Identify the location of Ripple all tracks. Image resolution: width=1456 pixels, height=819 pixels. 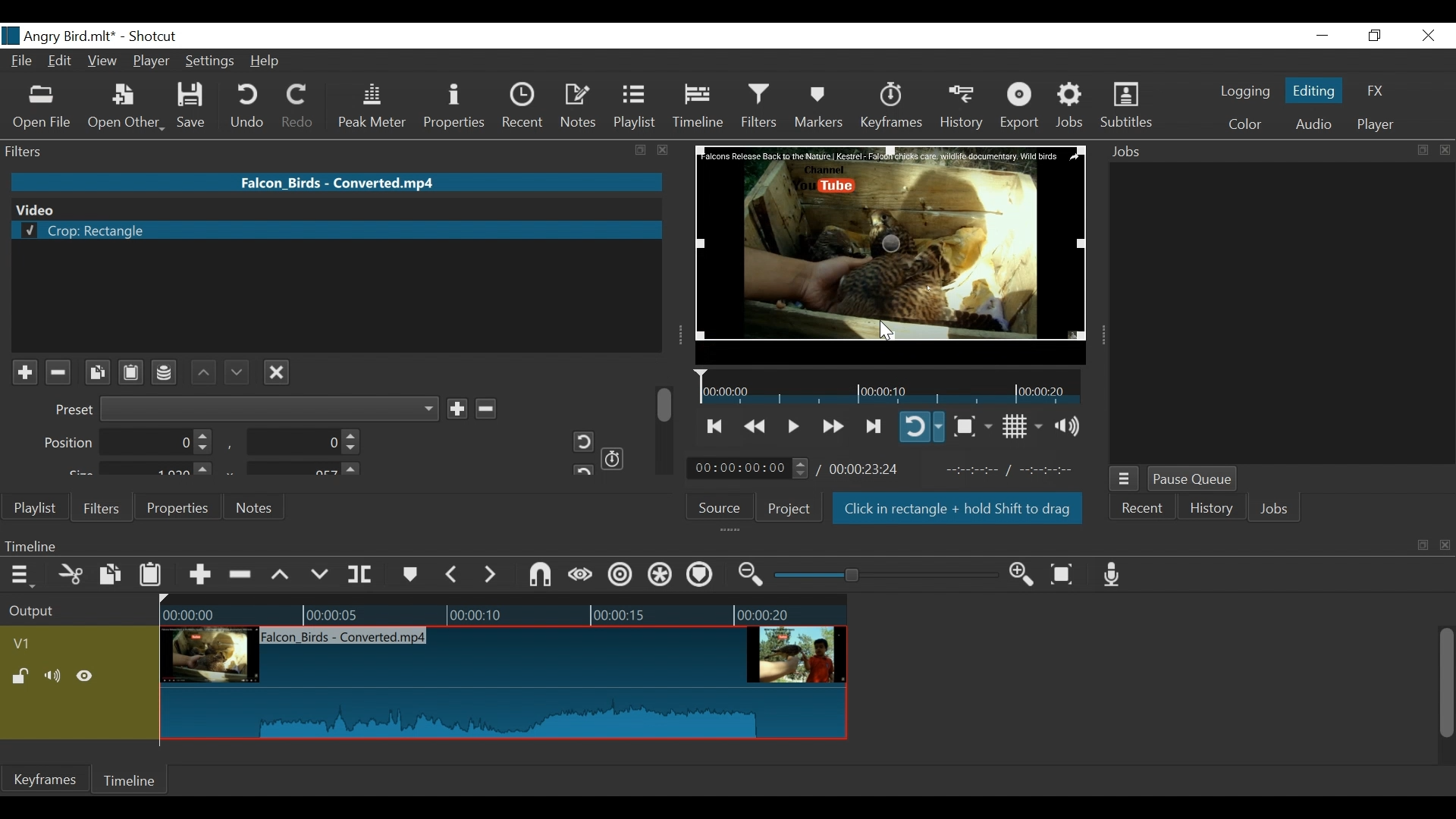
(699, 576).